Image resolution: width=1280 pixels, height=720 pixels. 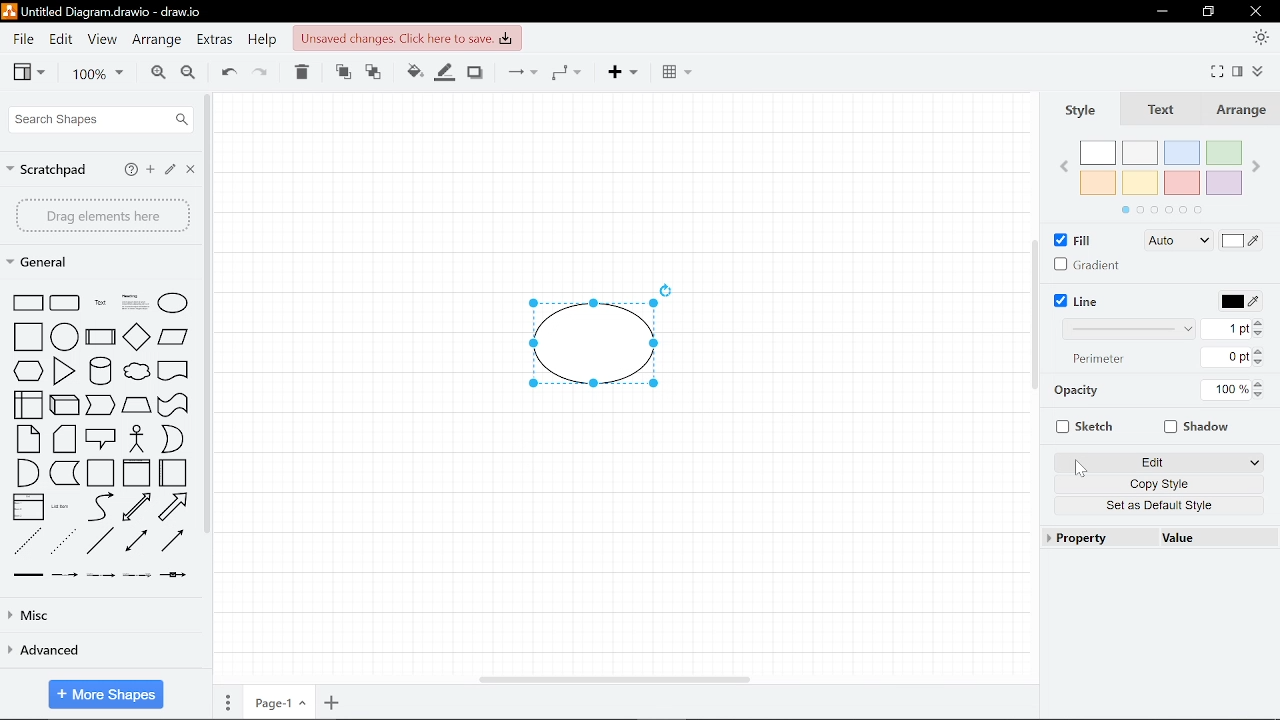 I want to click on Text, so click(x=1158, y=111).